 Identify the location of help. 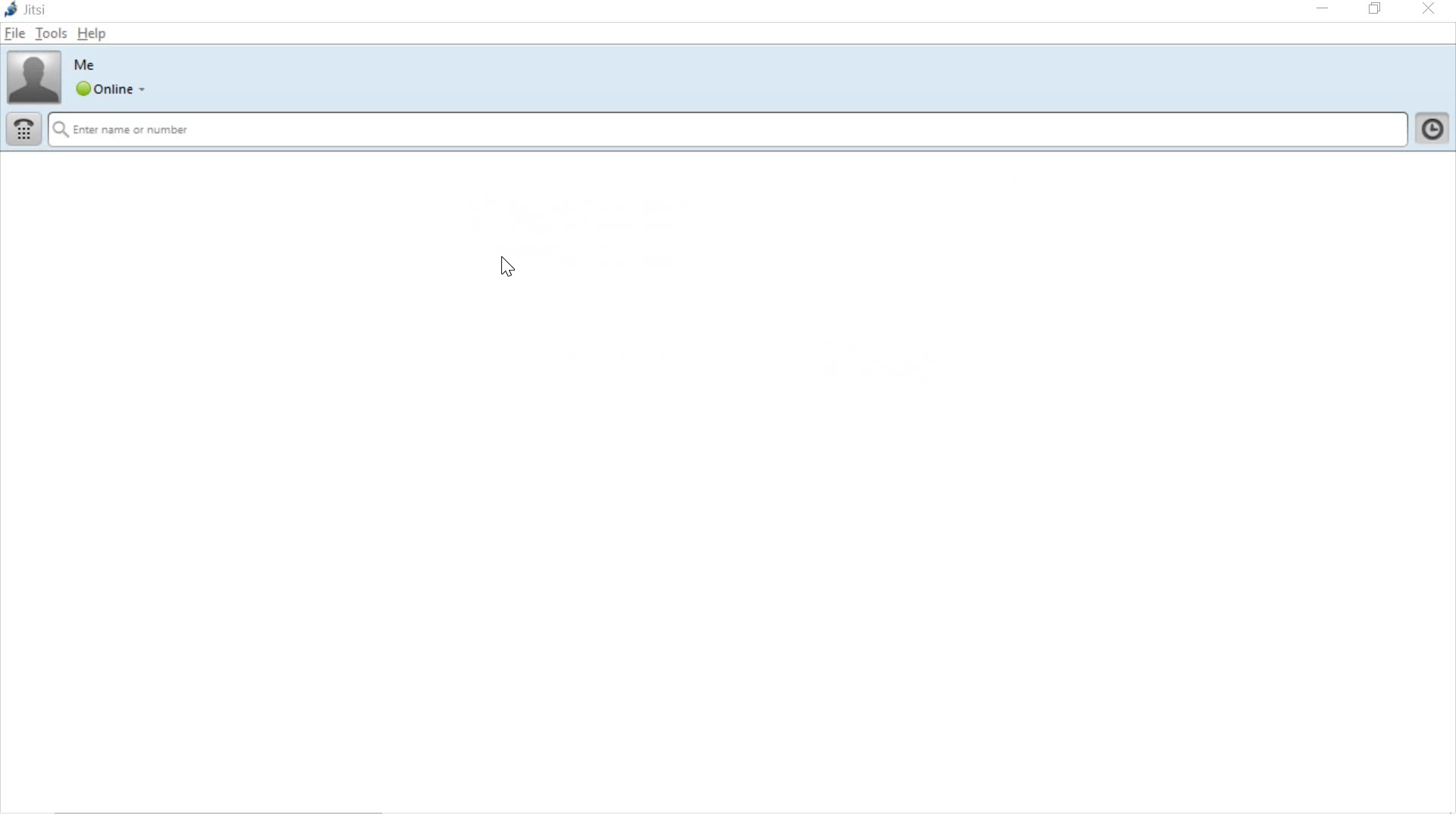
(89, 33).